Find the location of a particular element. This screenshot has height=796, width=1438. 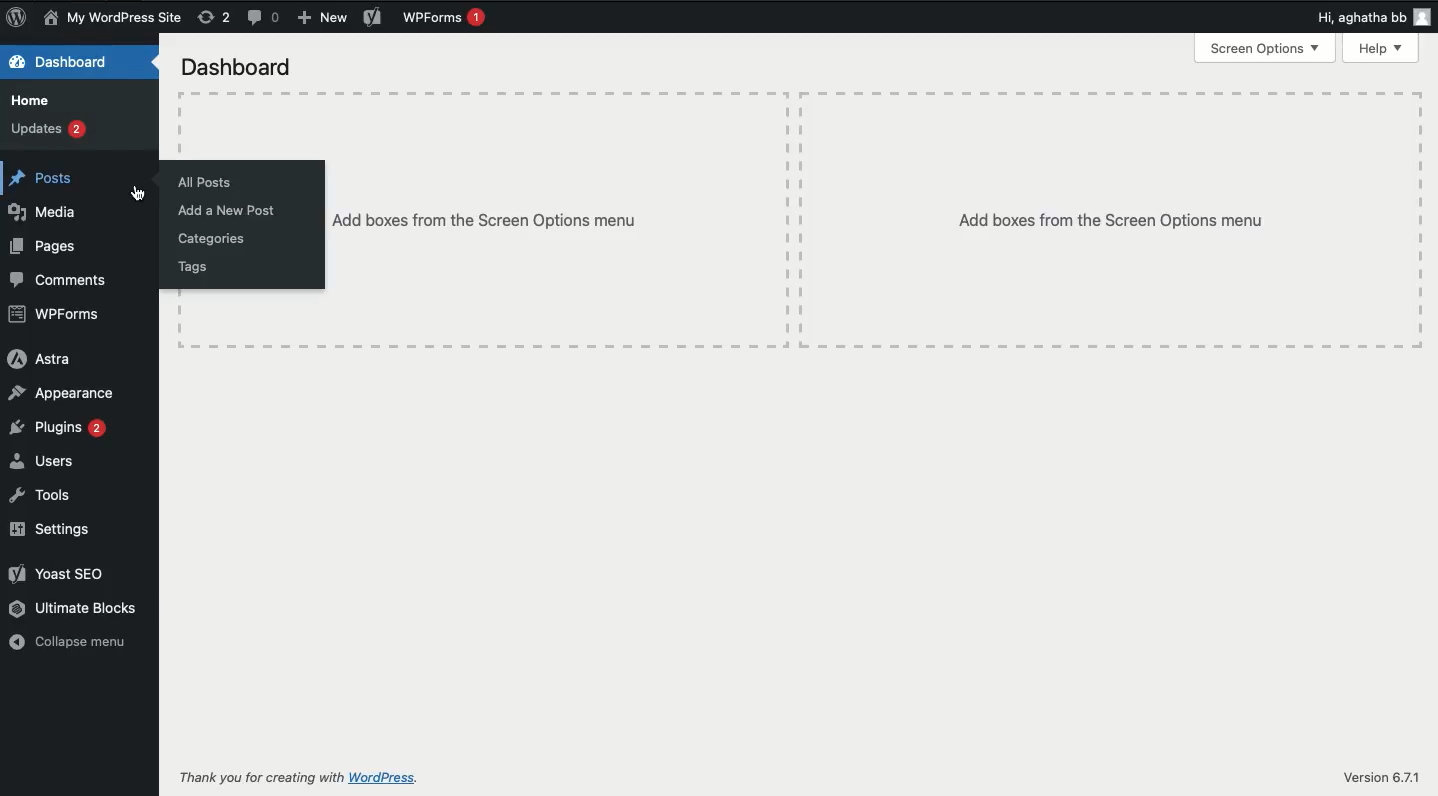

Astra is located at coordinates (39, 361).